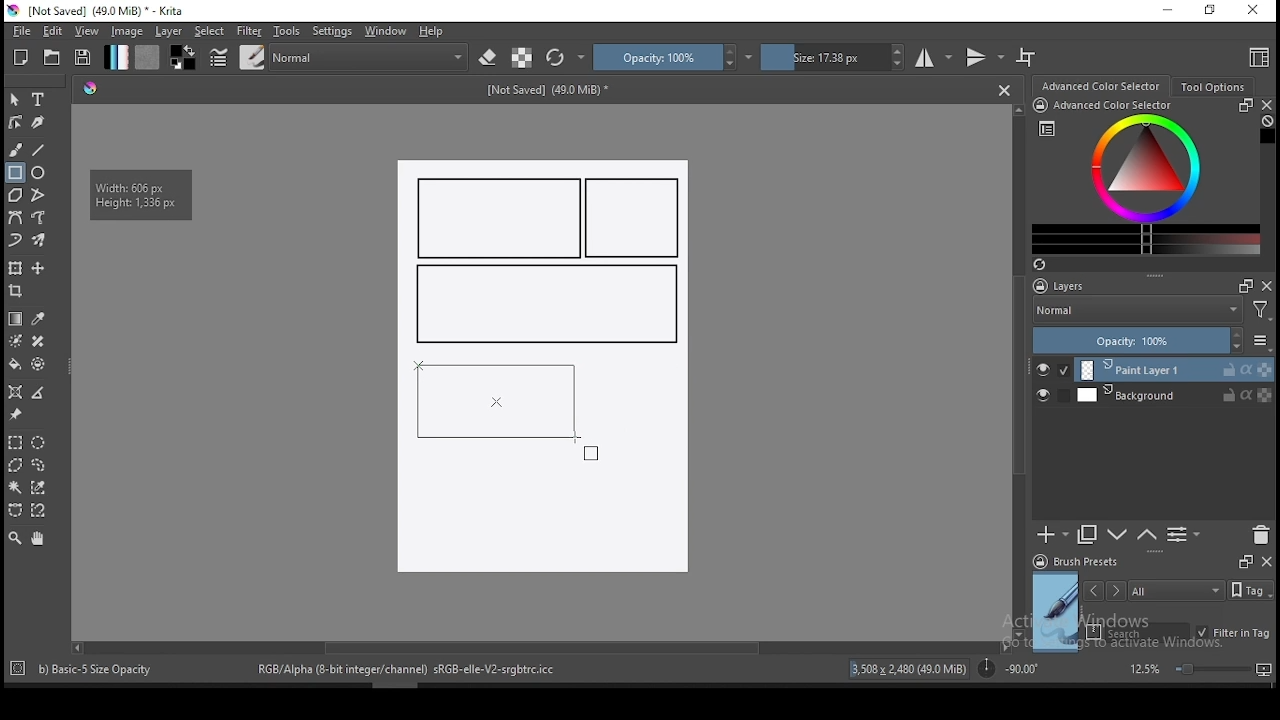 The width and height of the screenshot is (1280, 720). What do you see at coordinates (1004, 89) in the screenshot?
I see `Close` at bounding box center [1004, 89].